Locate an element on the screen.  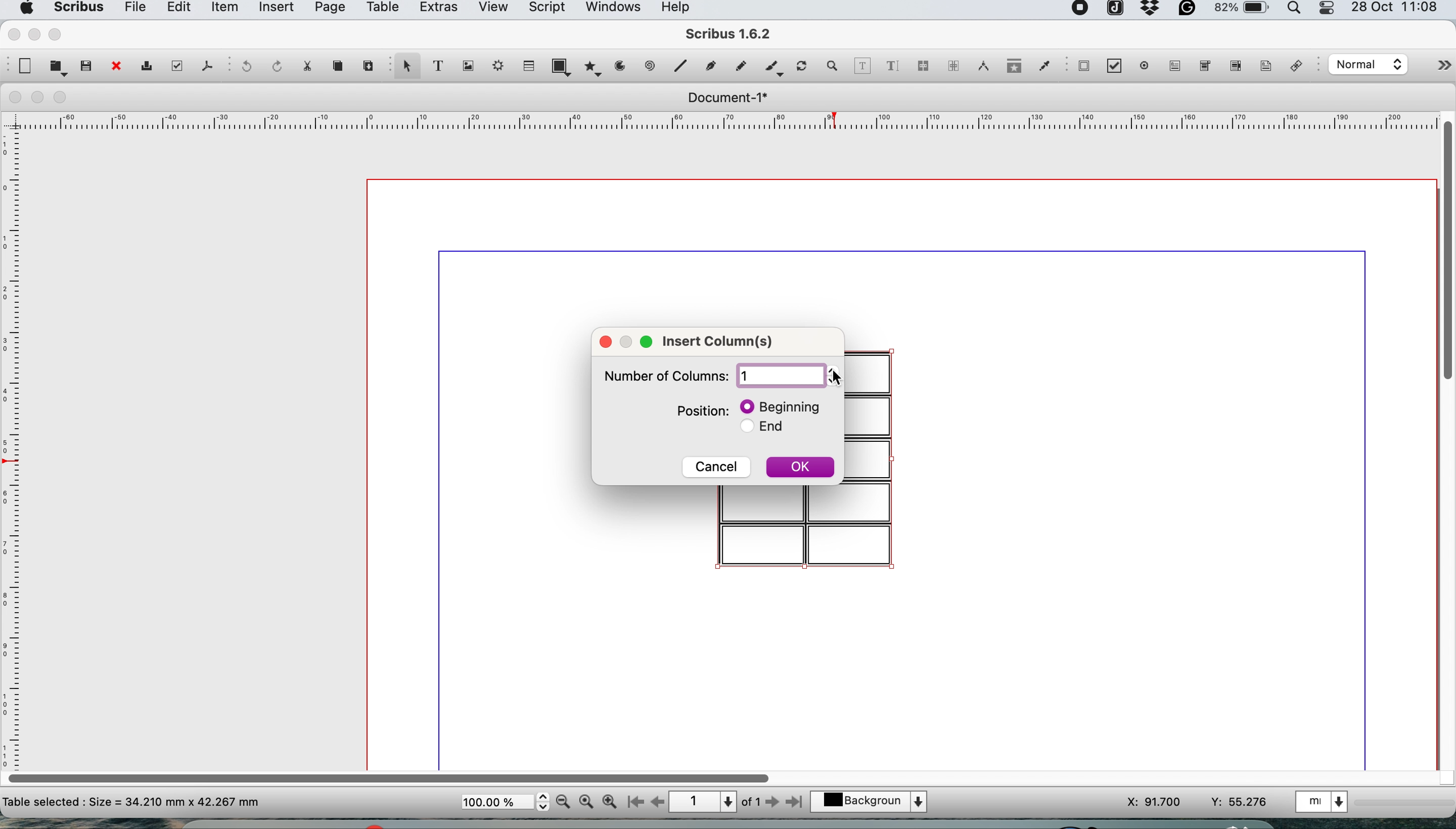
minimise is located at coordinates (39, 98).